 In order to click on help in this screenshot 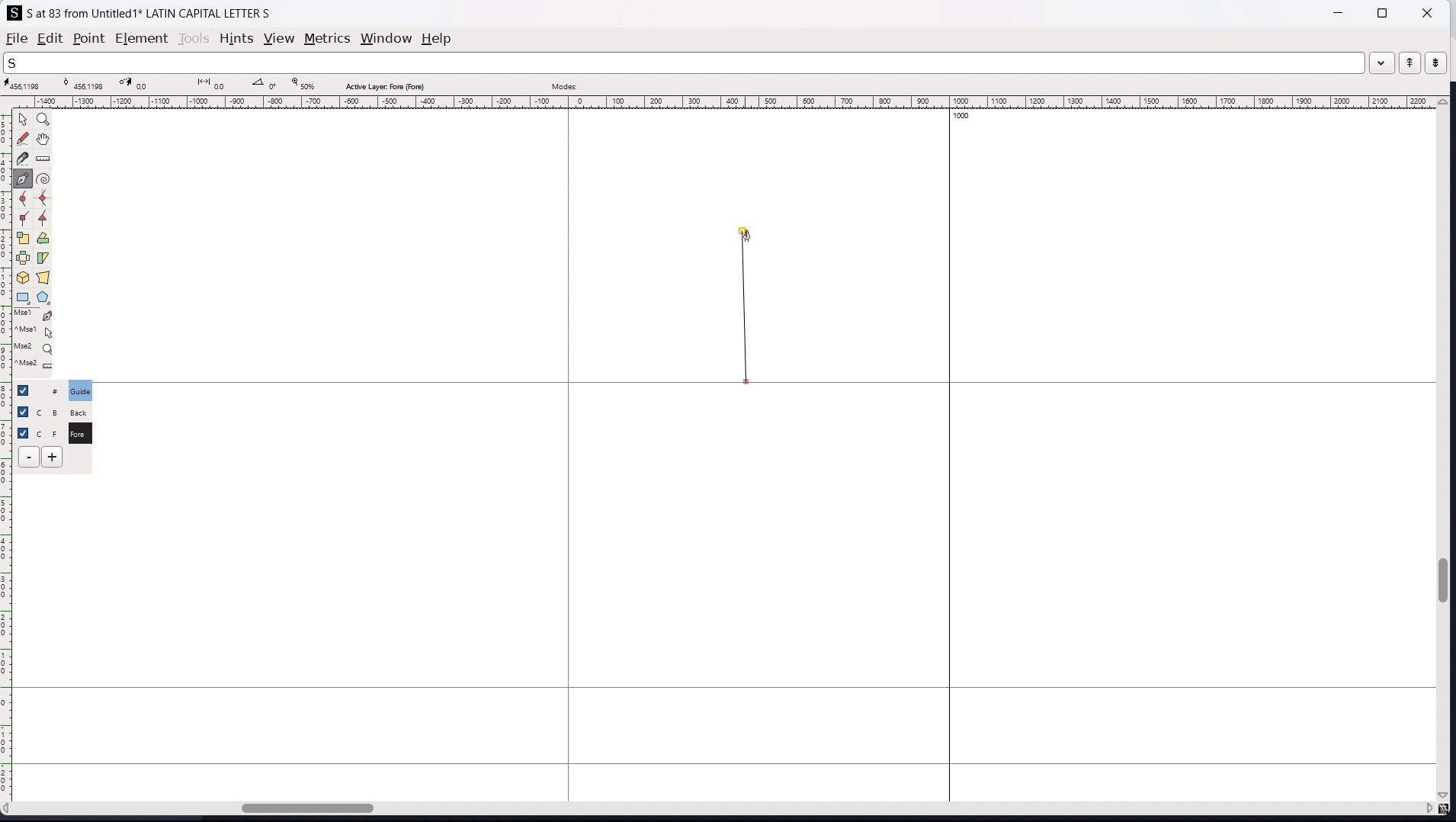, I will do `click(437, 39)`.